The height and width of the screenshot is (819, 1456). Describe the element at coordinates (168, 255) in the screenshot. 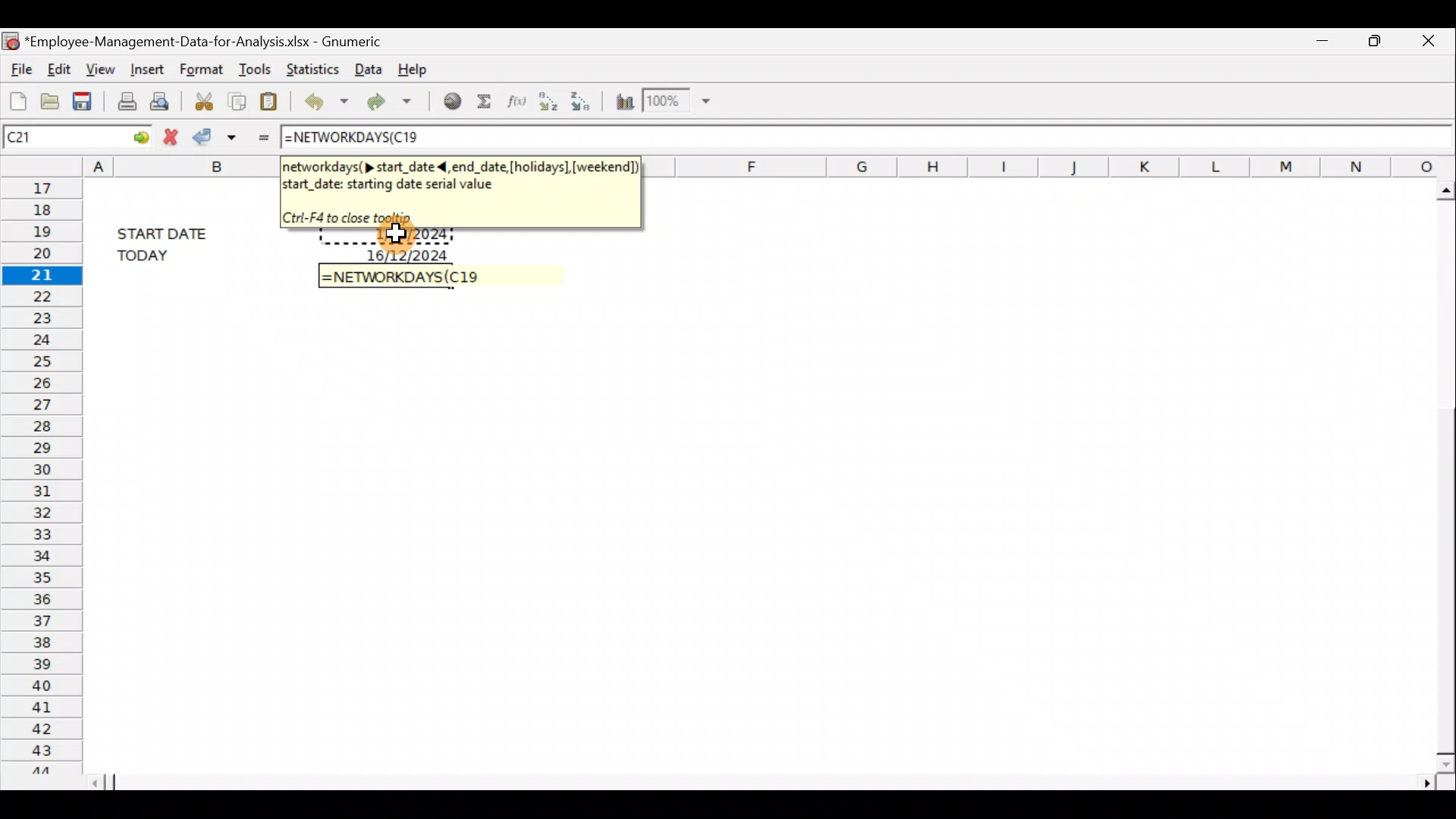

I see `TODAY` at that location.